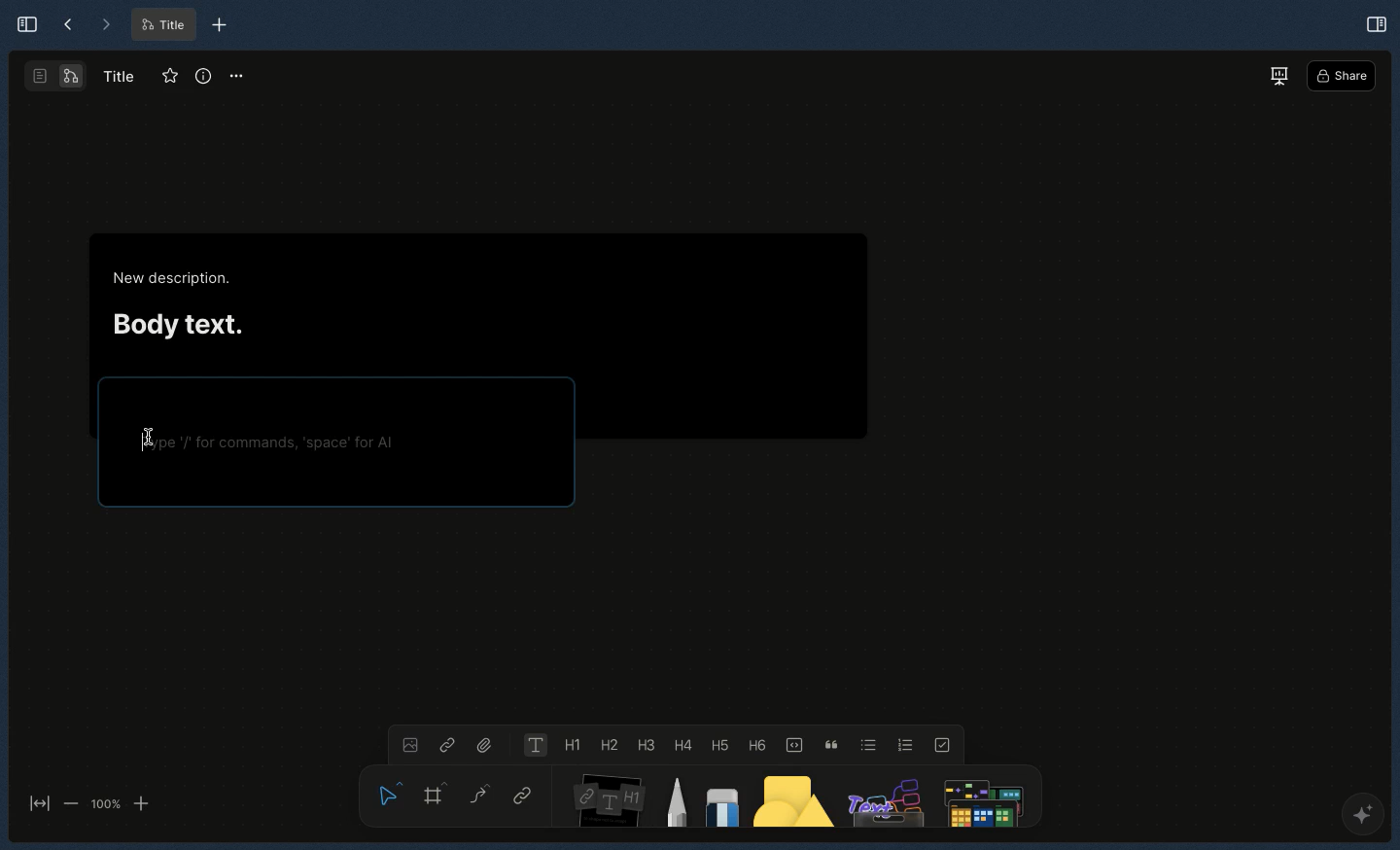  I want to click on Note, so click(605, 797).